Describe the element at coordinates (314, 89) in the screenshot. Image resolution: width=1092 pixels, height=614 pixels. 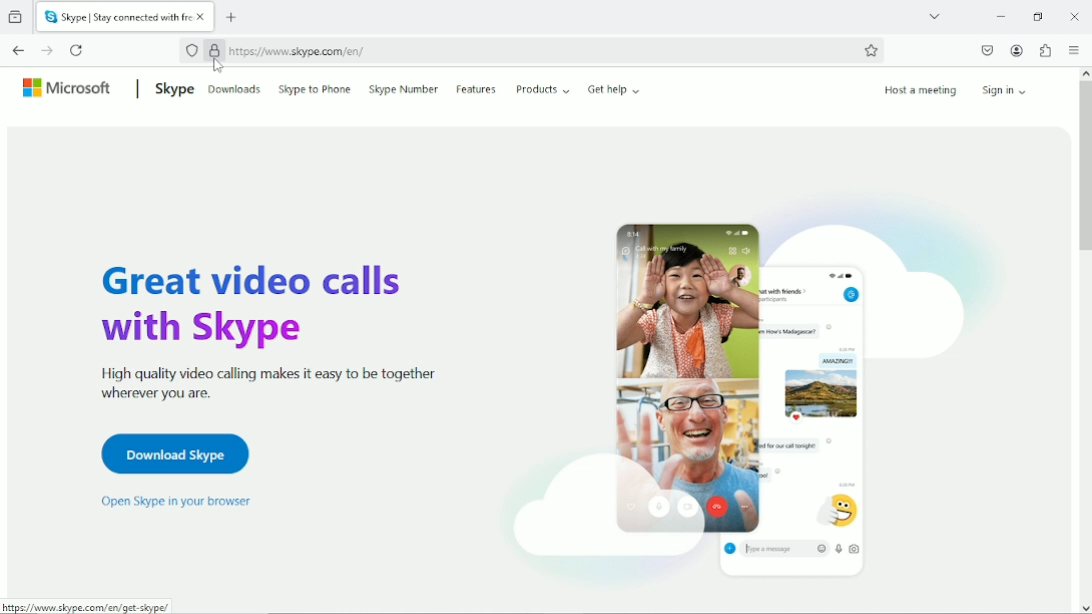
I see `Skype to phone` at that location.